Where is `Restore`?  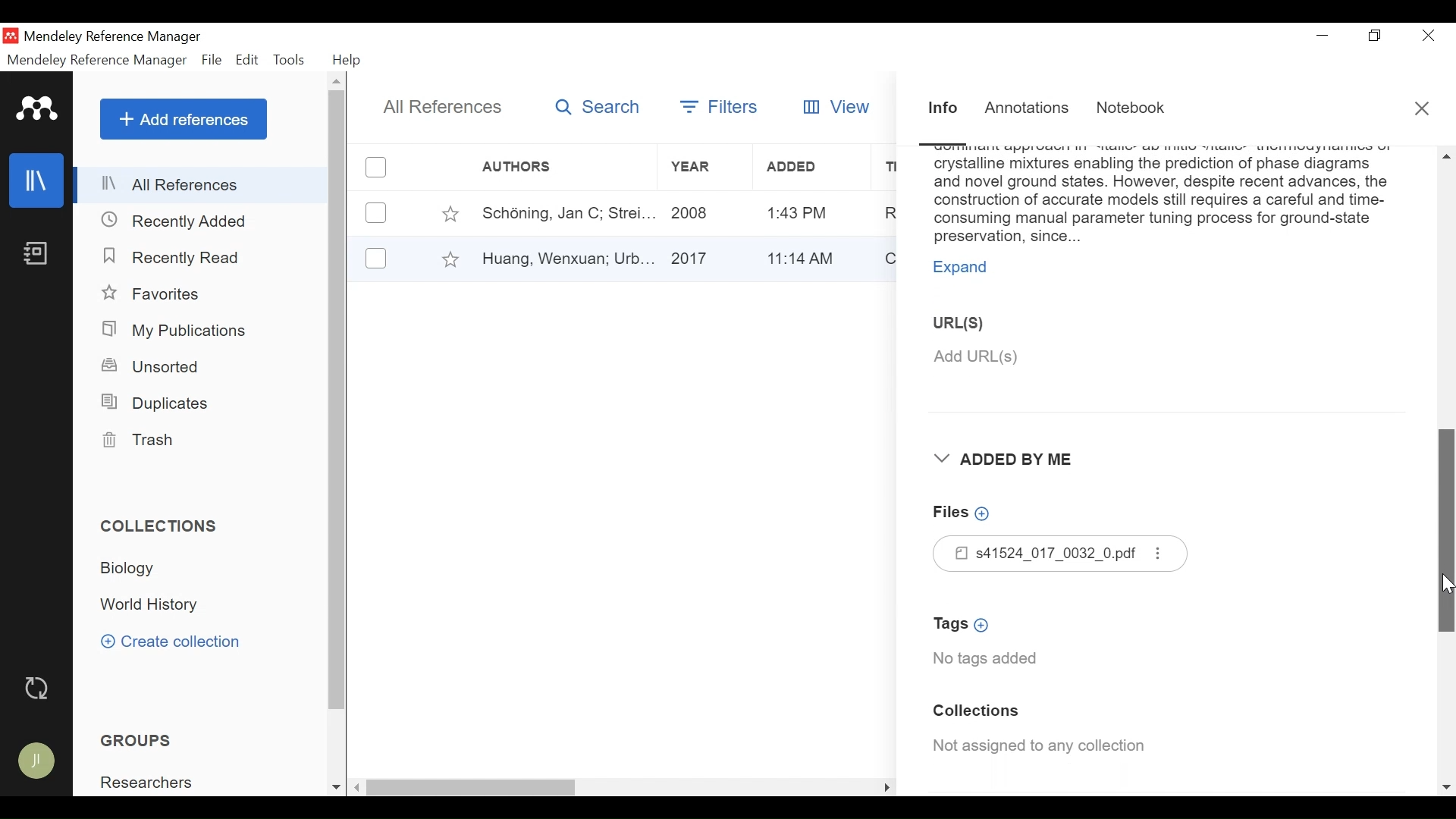
Restore is located at coordinates (1377, 36).